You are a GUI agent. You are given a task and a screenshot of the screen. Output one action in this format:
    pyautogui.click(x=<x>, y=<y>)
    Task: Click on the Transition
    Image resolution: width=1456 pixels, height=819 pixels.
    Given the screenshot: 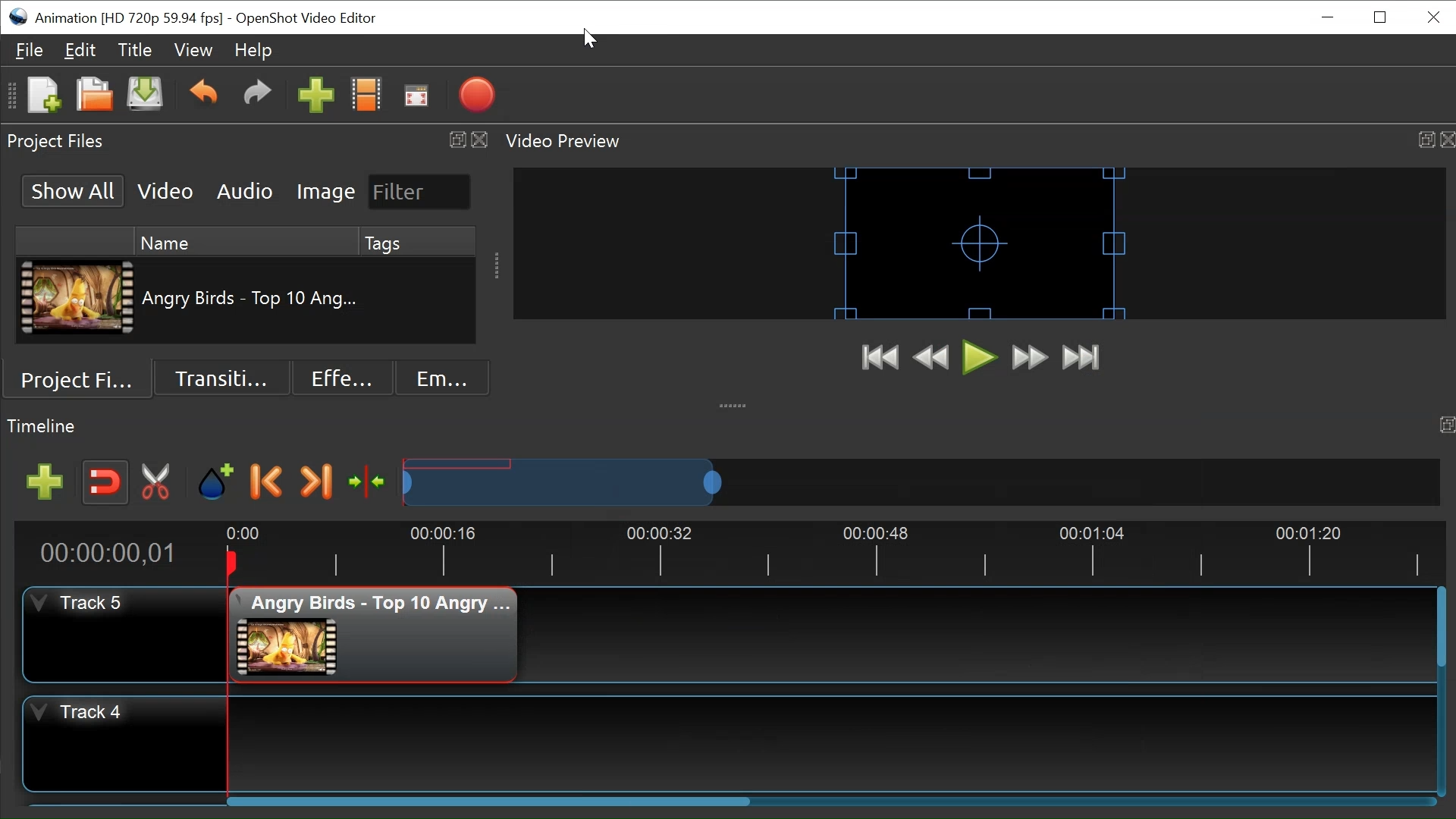 What is the action you would take?
    pyautogui.click(x=222, y=378)
    